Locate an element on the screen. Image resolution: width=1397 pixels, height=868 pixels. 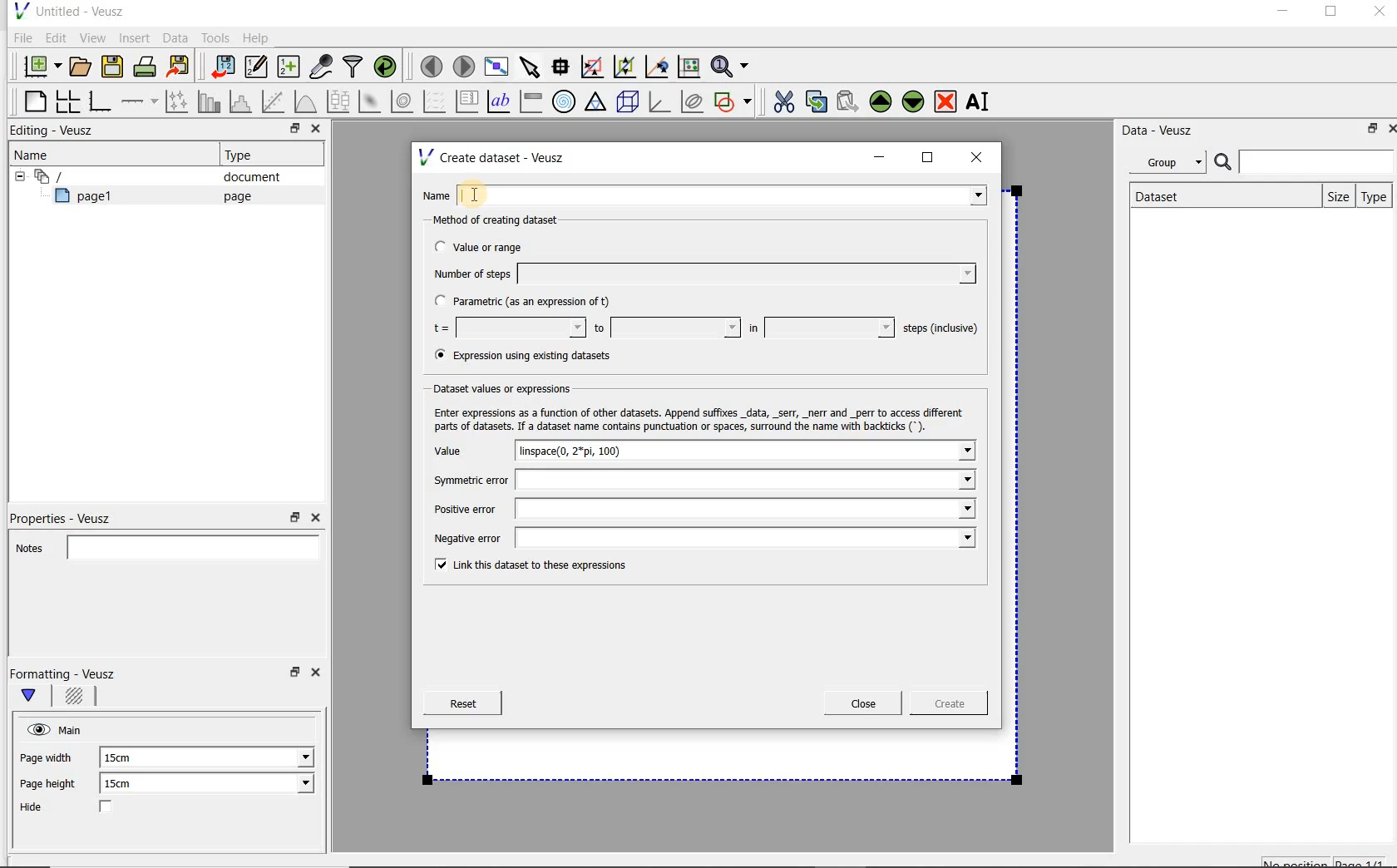
open a document is located at coordinates (82, 65).